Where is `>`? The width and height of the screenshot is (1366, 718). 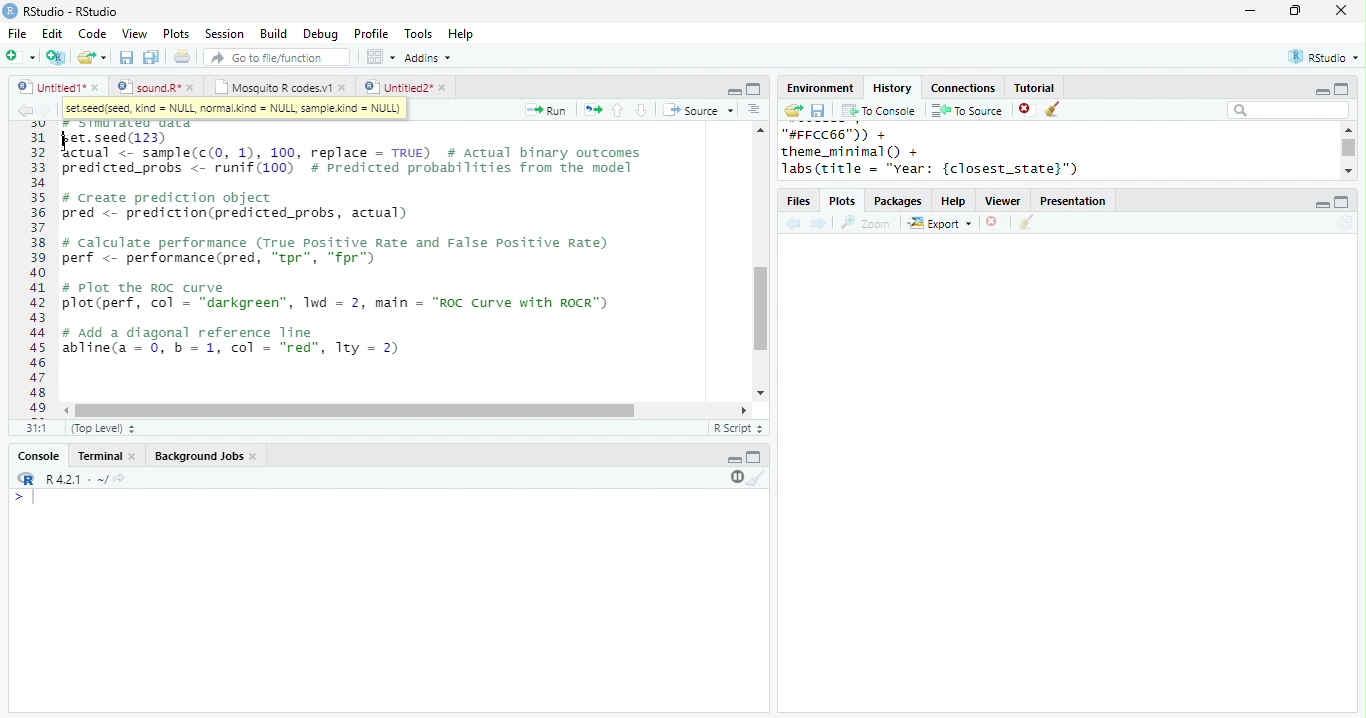
> is located at coordinates (27, 497).